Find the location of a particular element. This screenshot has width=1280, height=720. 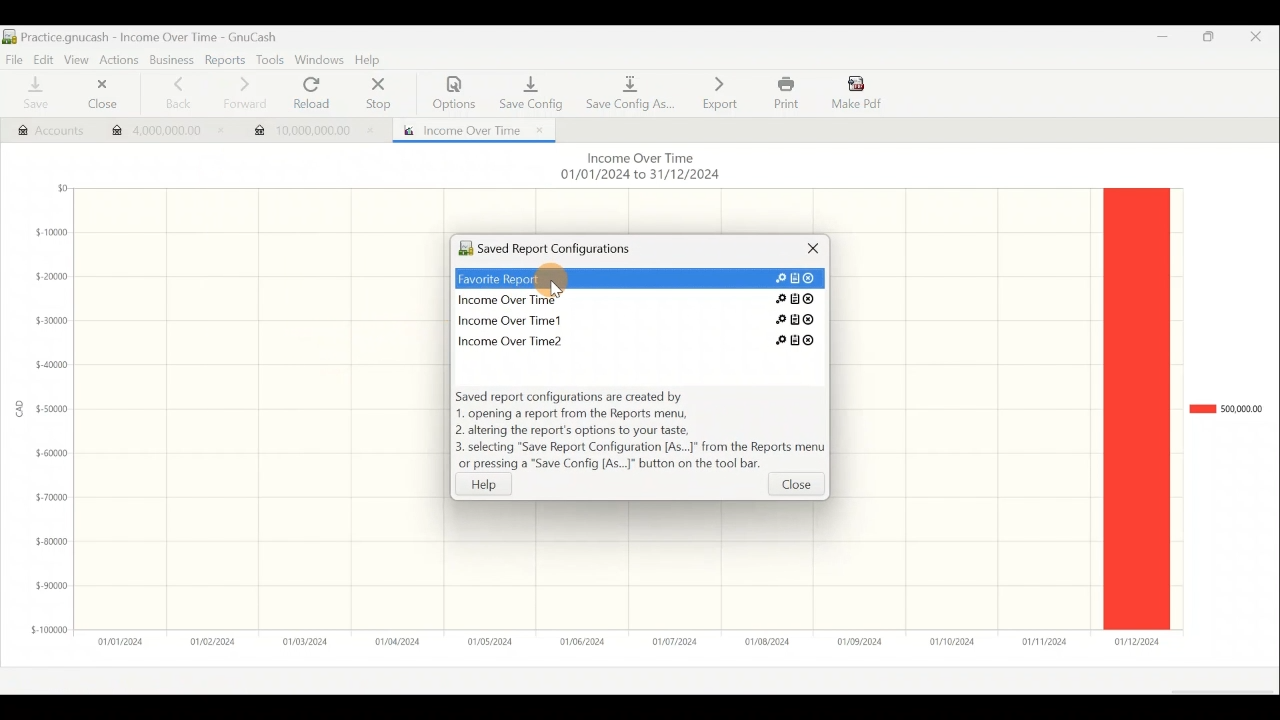

Chart name & date range is located at coordinates (638, 168).